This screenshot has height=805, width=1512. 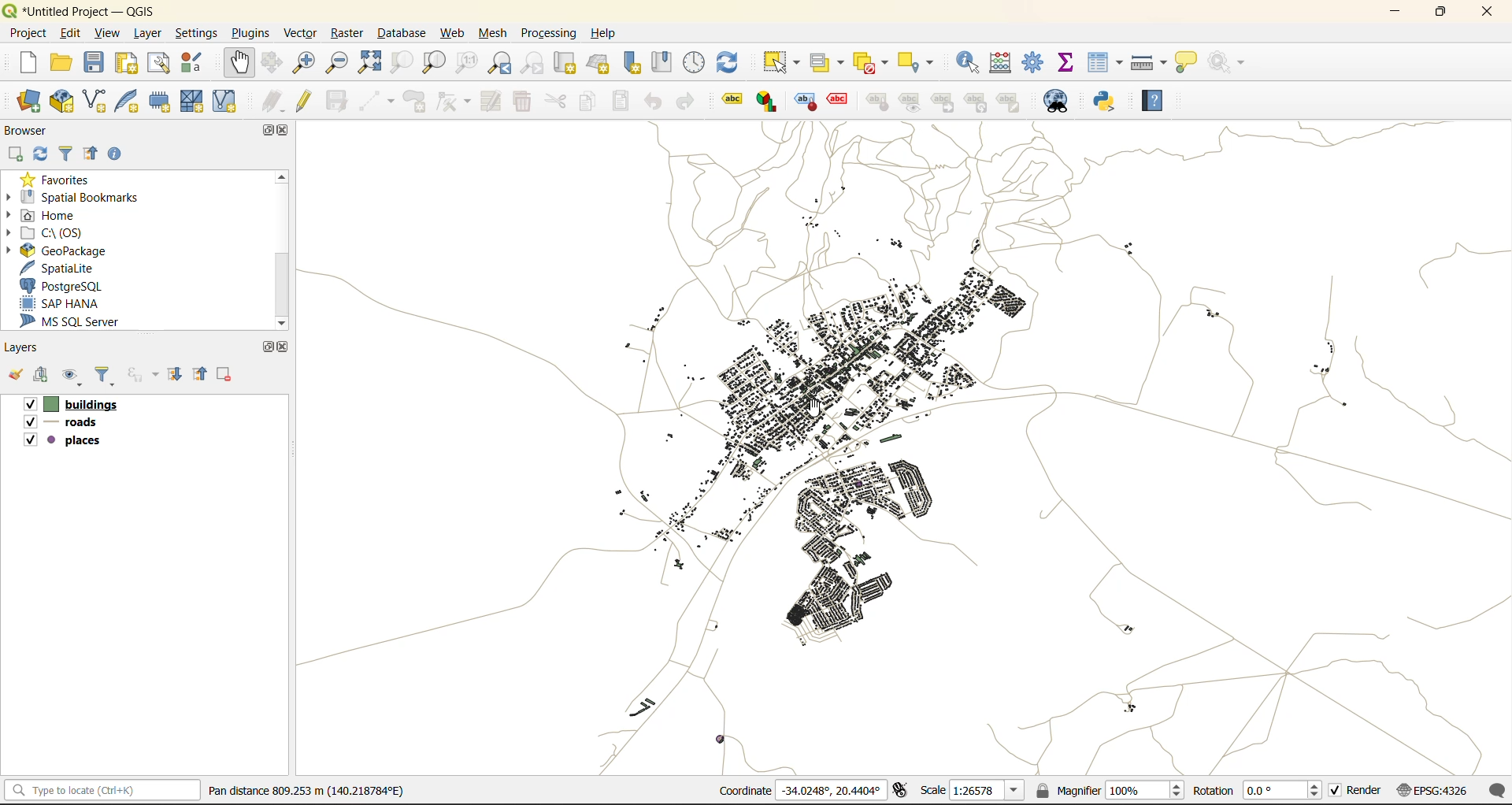 I want to click on label graph, so click(x=766, y=102).